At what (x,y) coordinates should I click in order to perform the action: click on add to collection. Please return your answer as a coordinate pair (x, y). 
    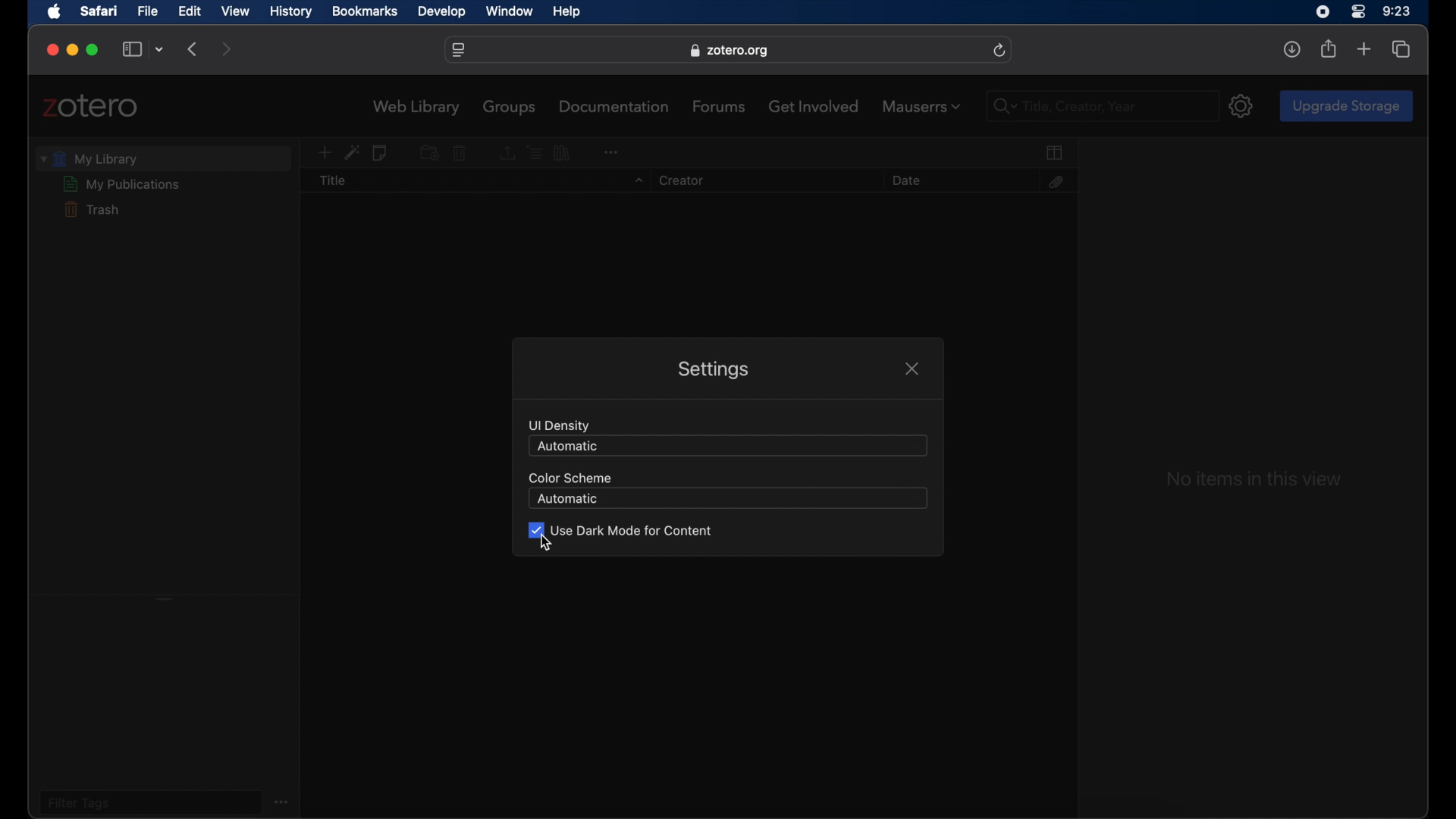
    Looking at the image, I should click on (428, 152).